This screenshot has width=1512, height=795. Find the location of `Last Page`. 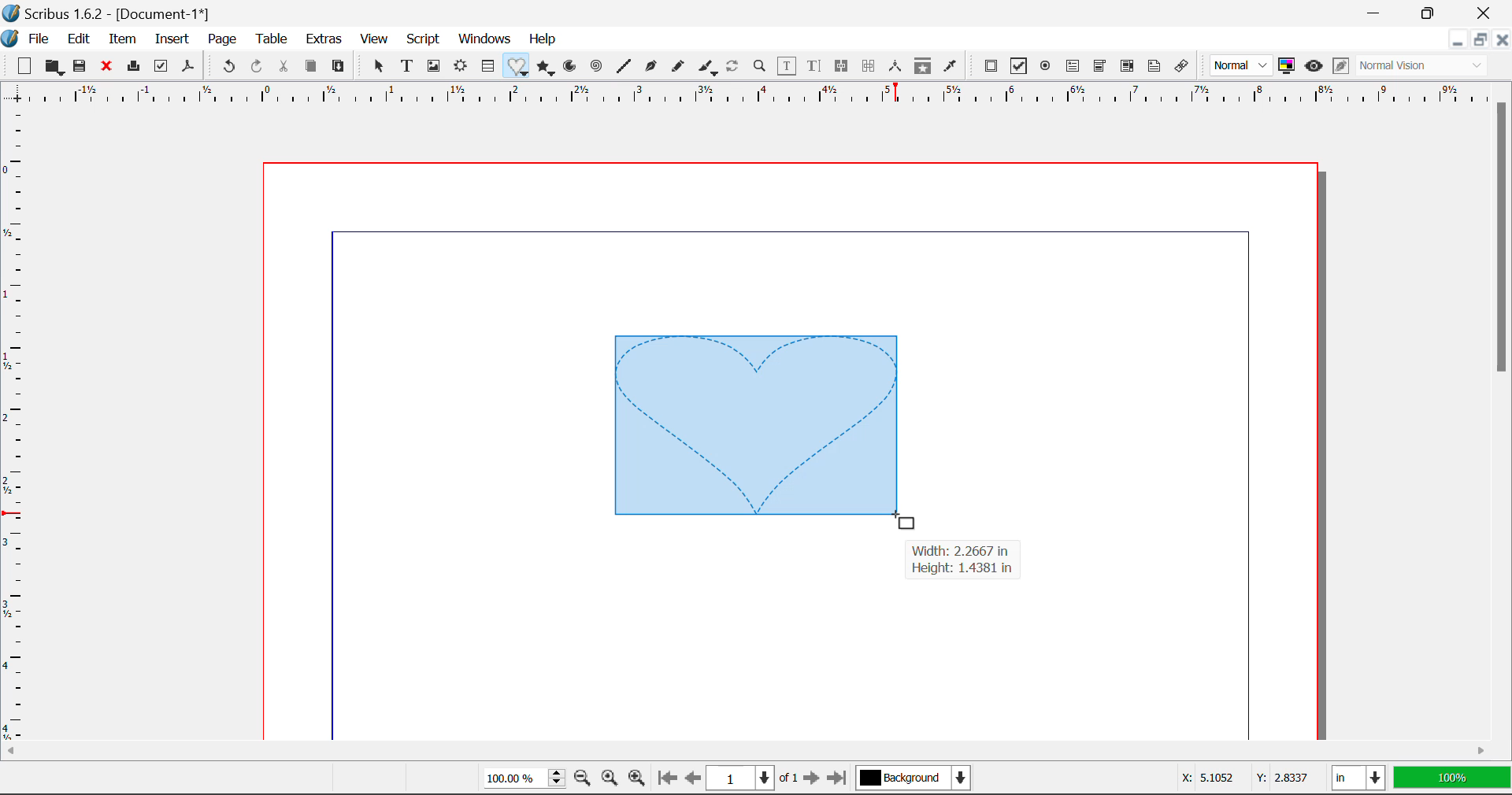

Last Page is located at coordinates (839, 778).